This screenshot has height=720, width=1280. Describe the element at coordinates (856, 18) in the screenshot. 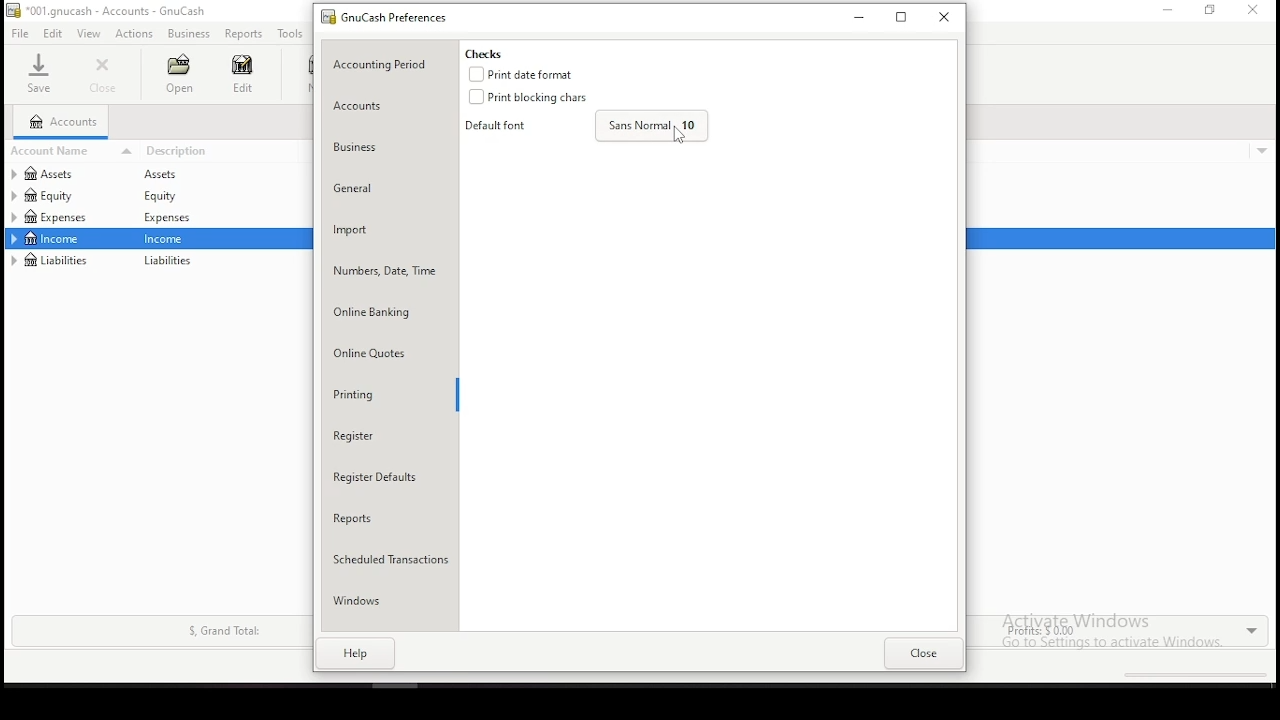

I see `minimize` at that location.